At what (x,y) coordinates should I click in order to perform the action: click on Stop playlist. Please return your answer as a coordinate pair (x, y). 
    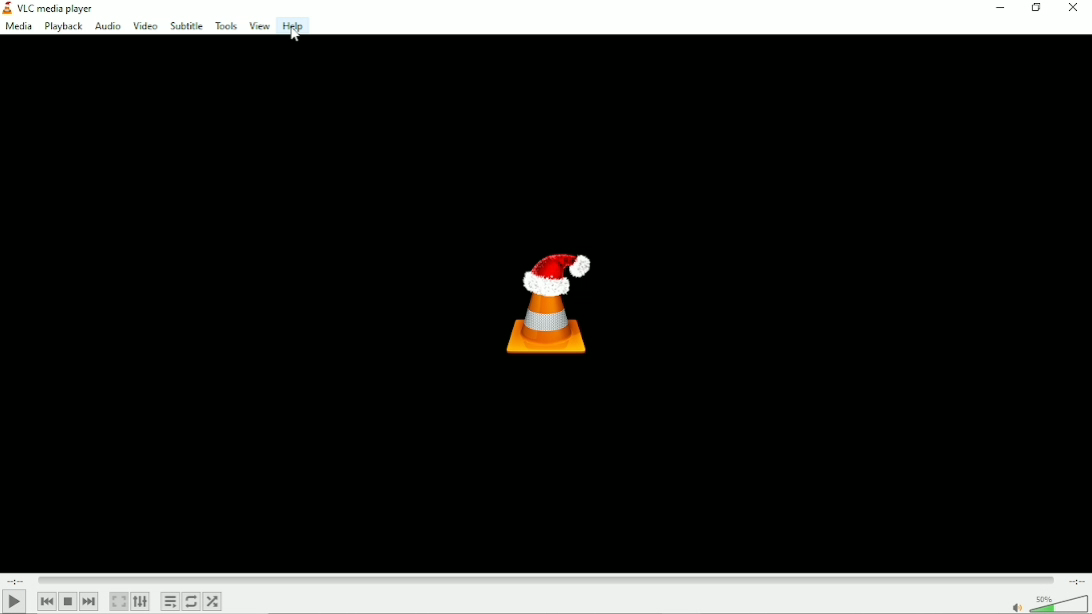
    Looking at the image, I should click on (68, 602).